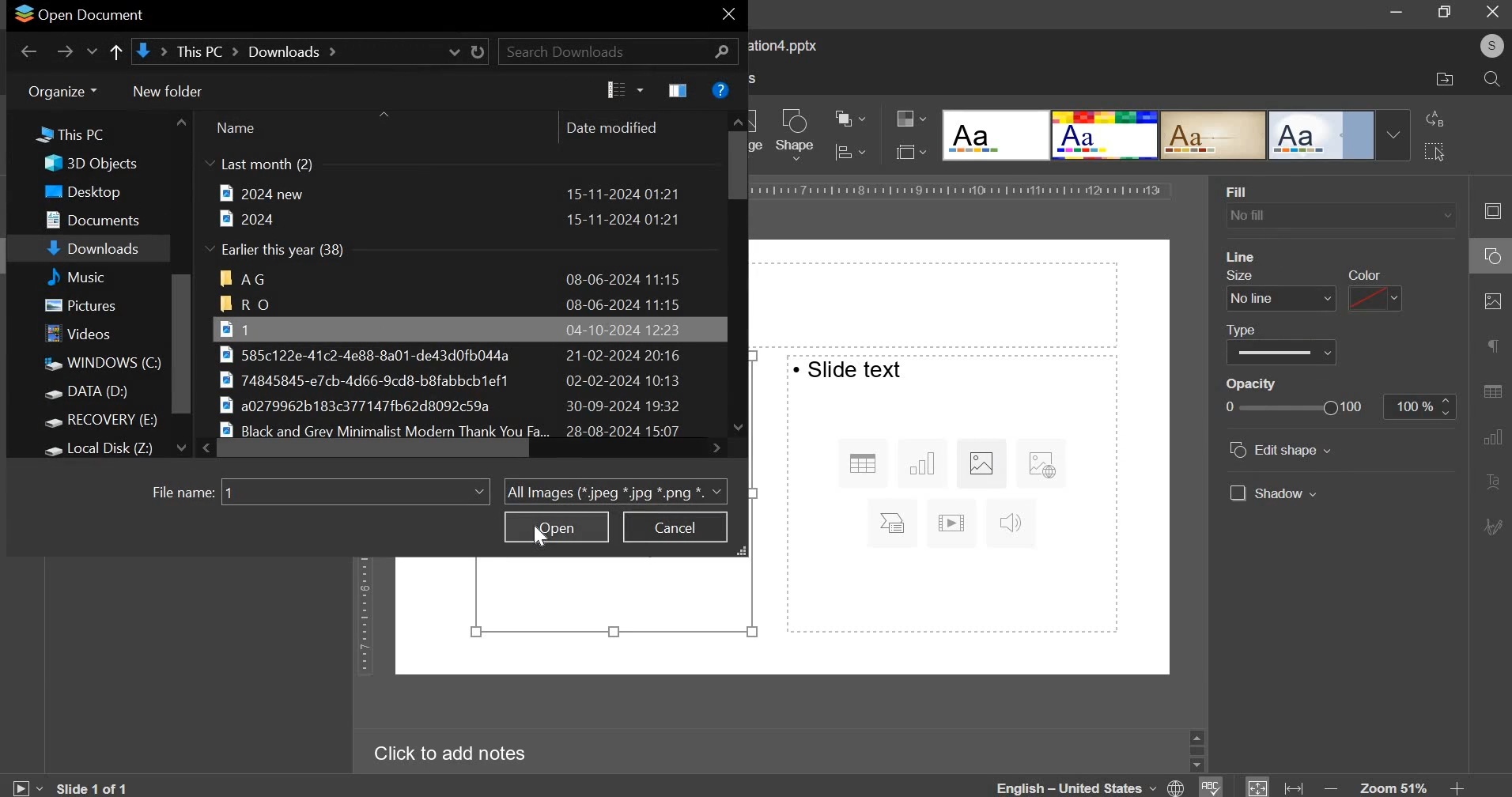 The width and height of the screenshot is (1512, 797). Describe the element at coordinates (82, 335) in the screenshot. I see `videos` at that location.